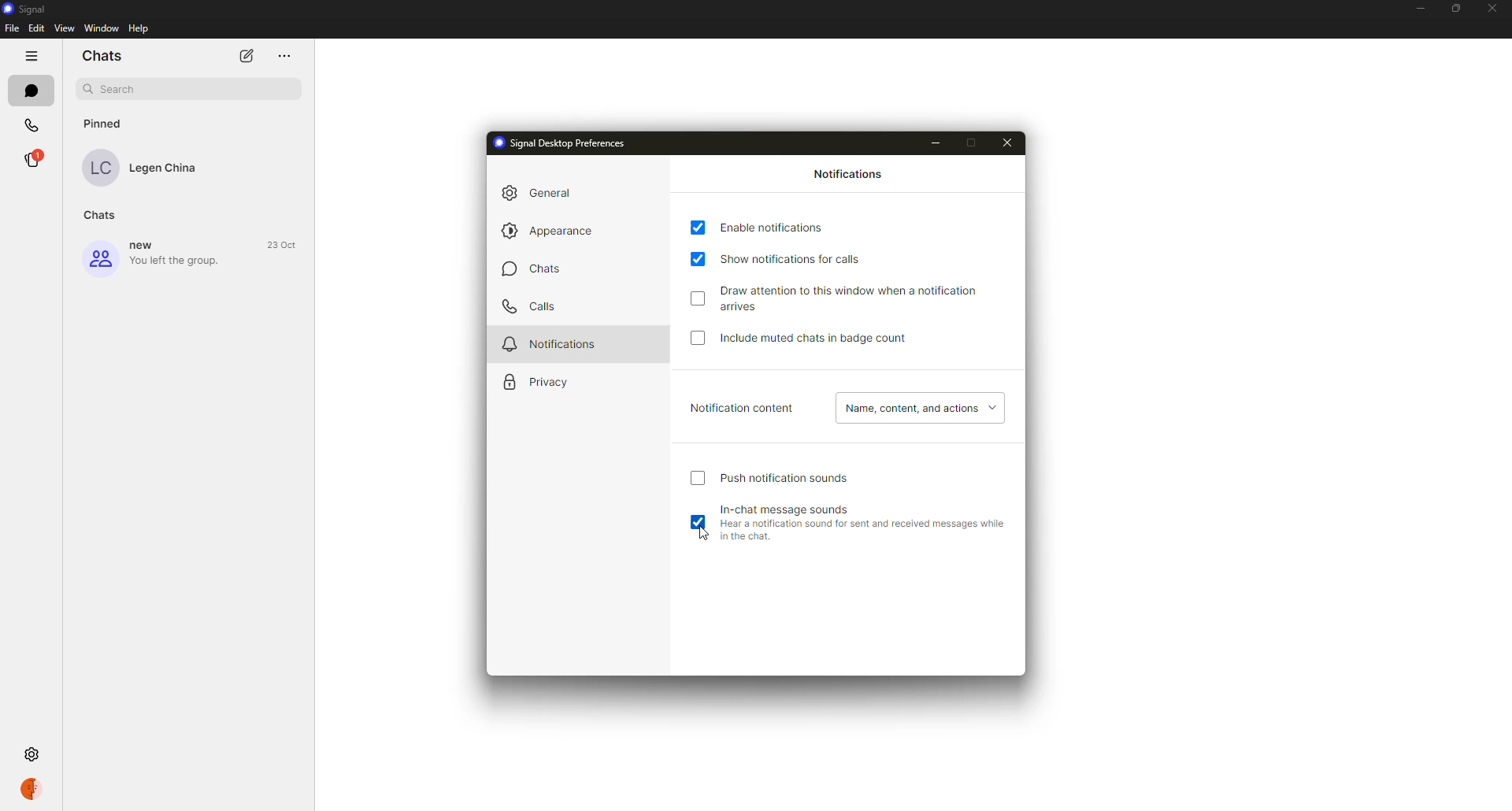  I want to click on minimize, so click(936, 143).